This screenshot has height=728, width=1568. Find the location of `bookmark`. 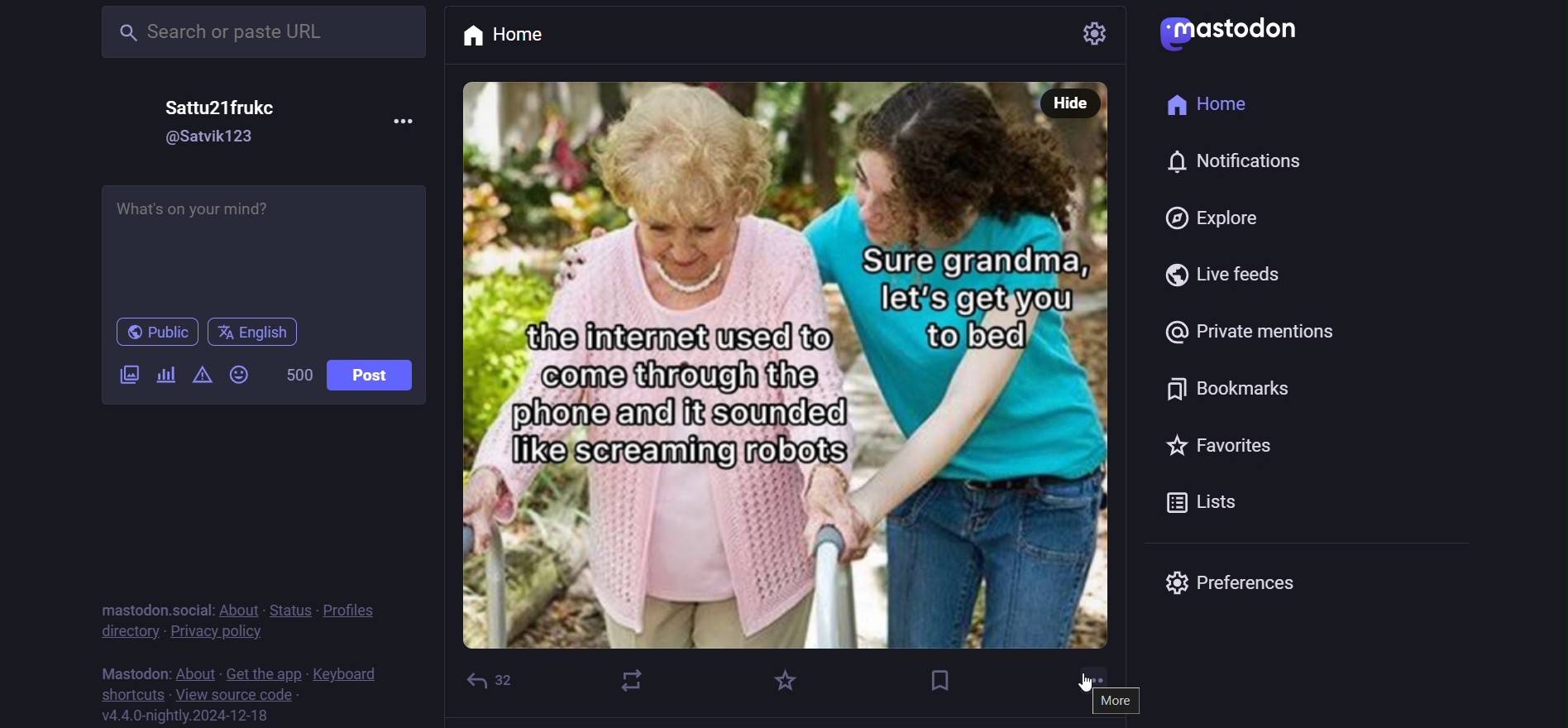

bookmark is located at coordinates (1236, 387).